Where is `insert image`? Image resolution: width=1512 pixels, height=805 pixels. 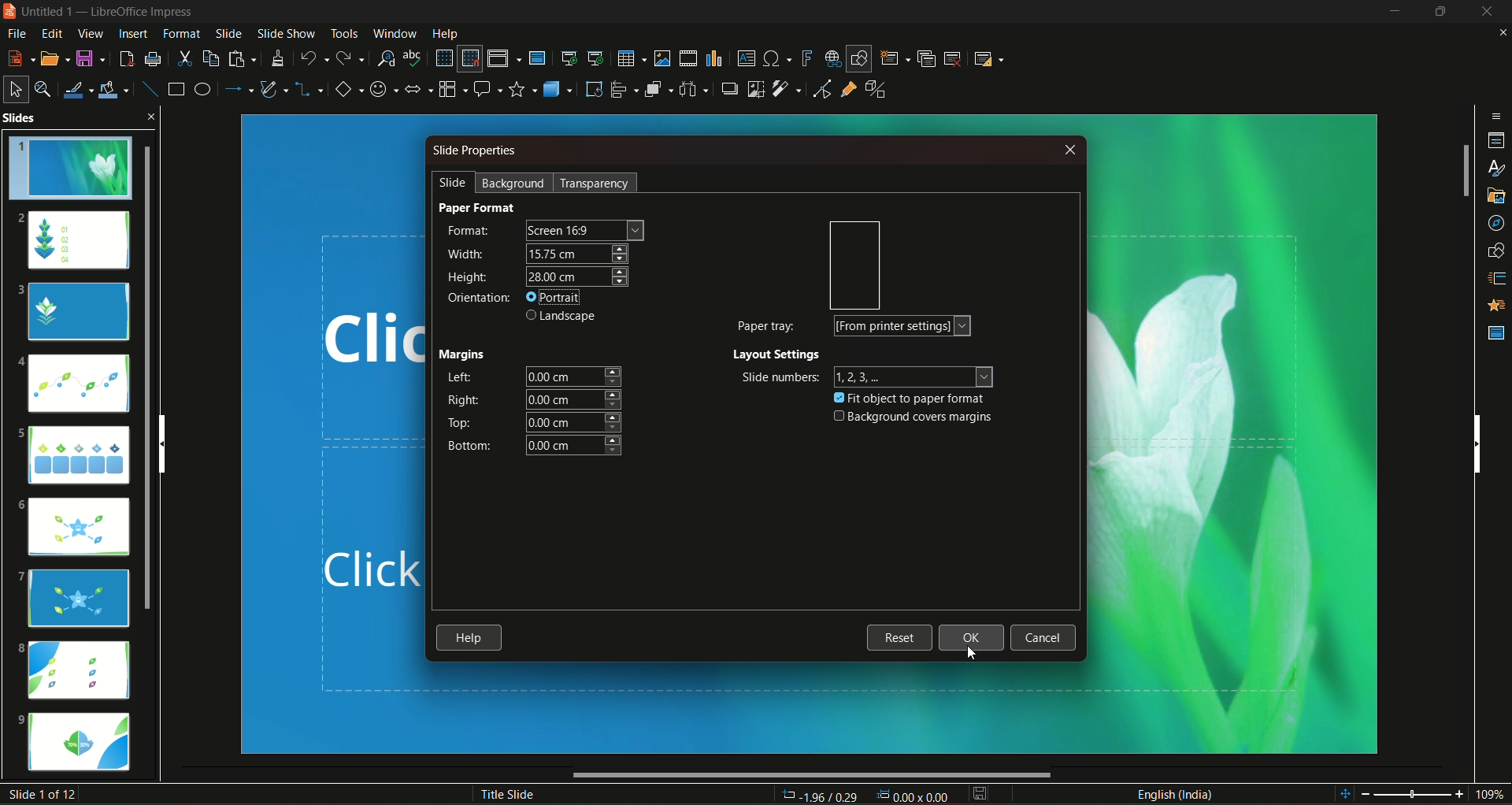
insert image is located at coordinates (661, 58).